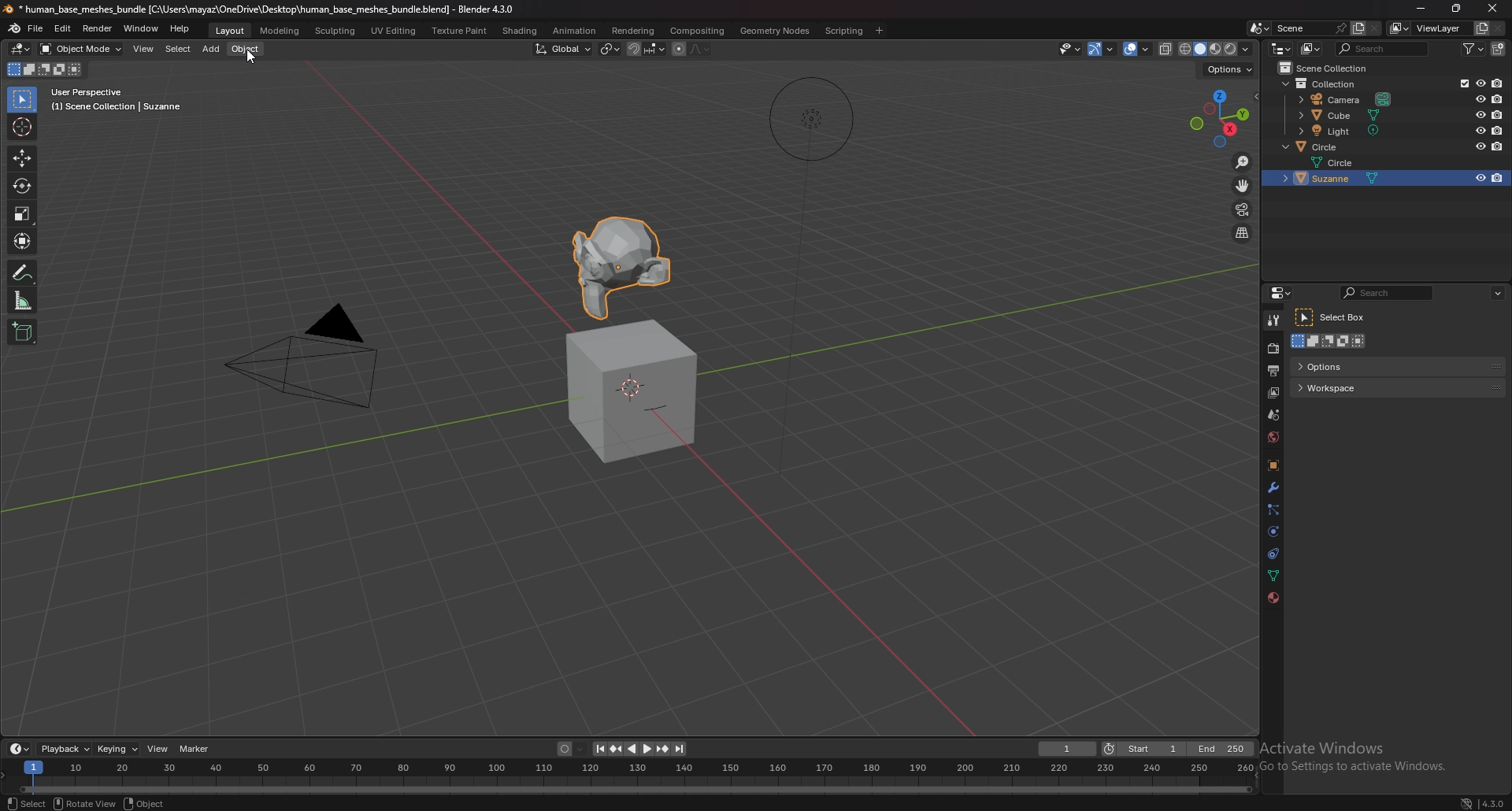 This screenshot has height=811, width=1512. Describe the element at coordinates (20, 749) in the screenshot. I see `editor type` at that location.